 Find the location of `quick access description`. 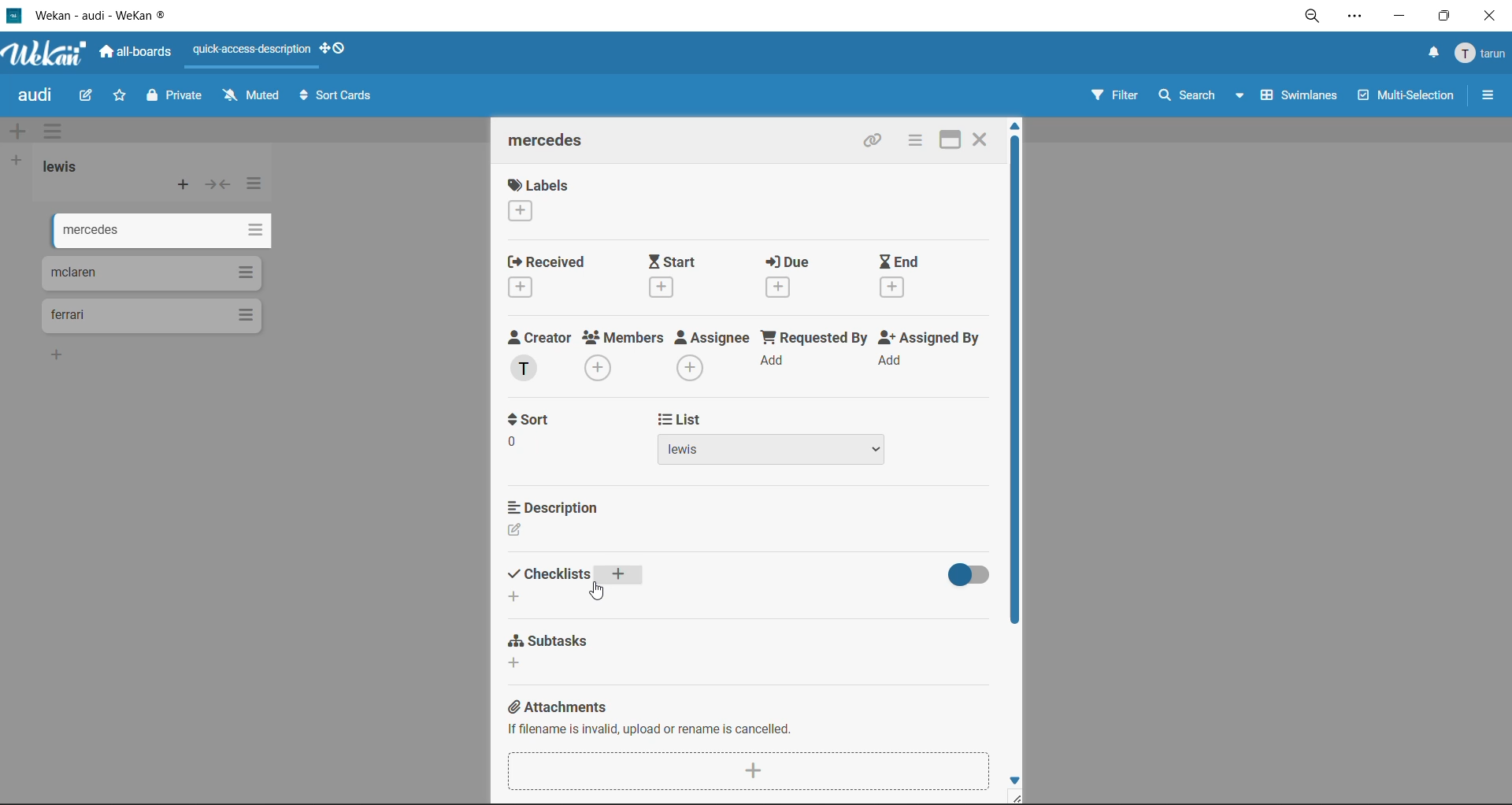

quick access description is located at coordinates (254, 50).